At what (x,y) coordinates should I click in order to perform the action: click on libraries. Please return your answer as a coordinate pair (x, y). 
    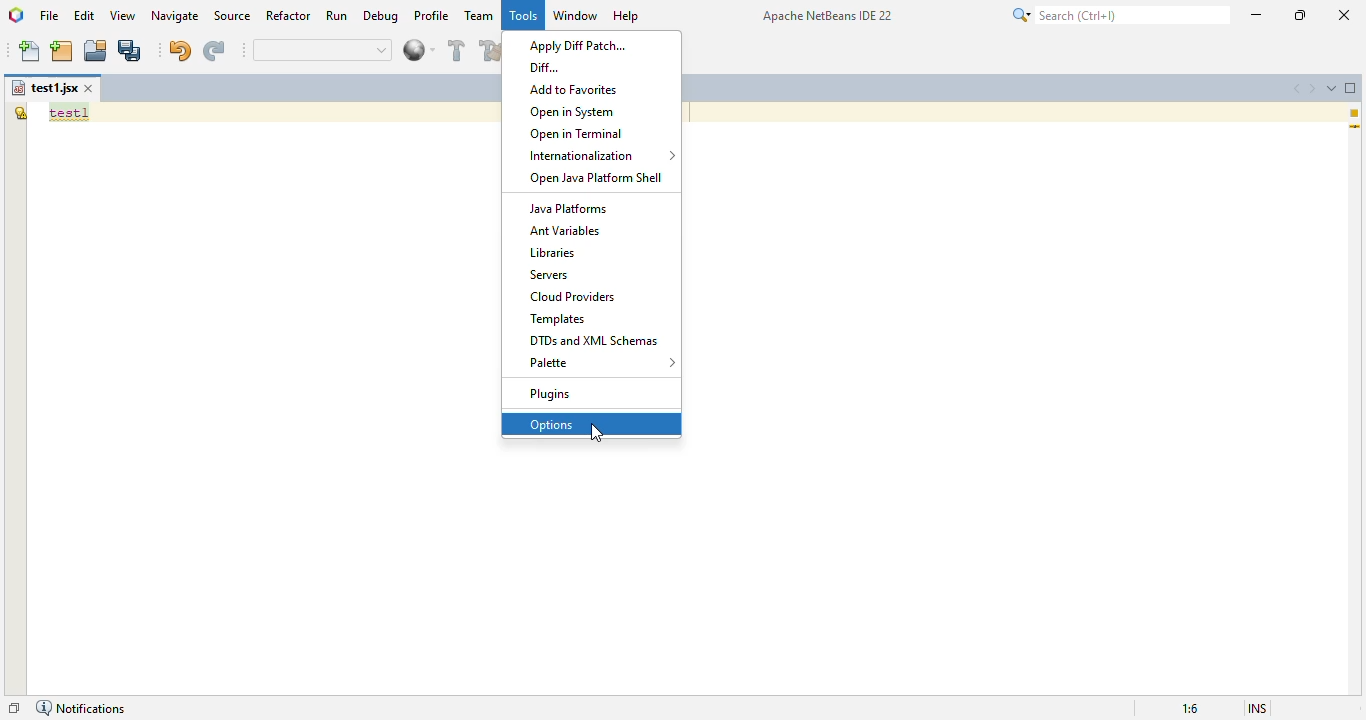
    Looking at the image, I should click on (554, 252).